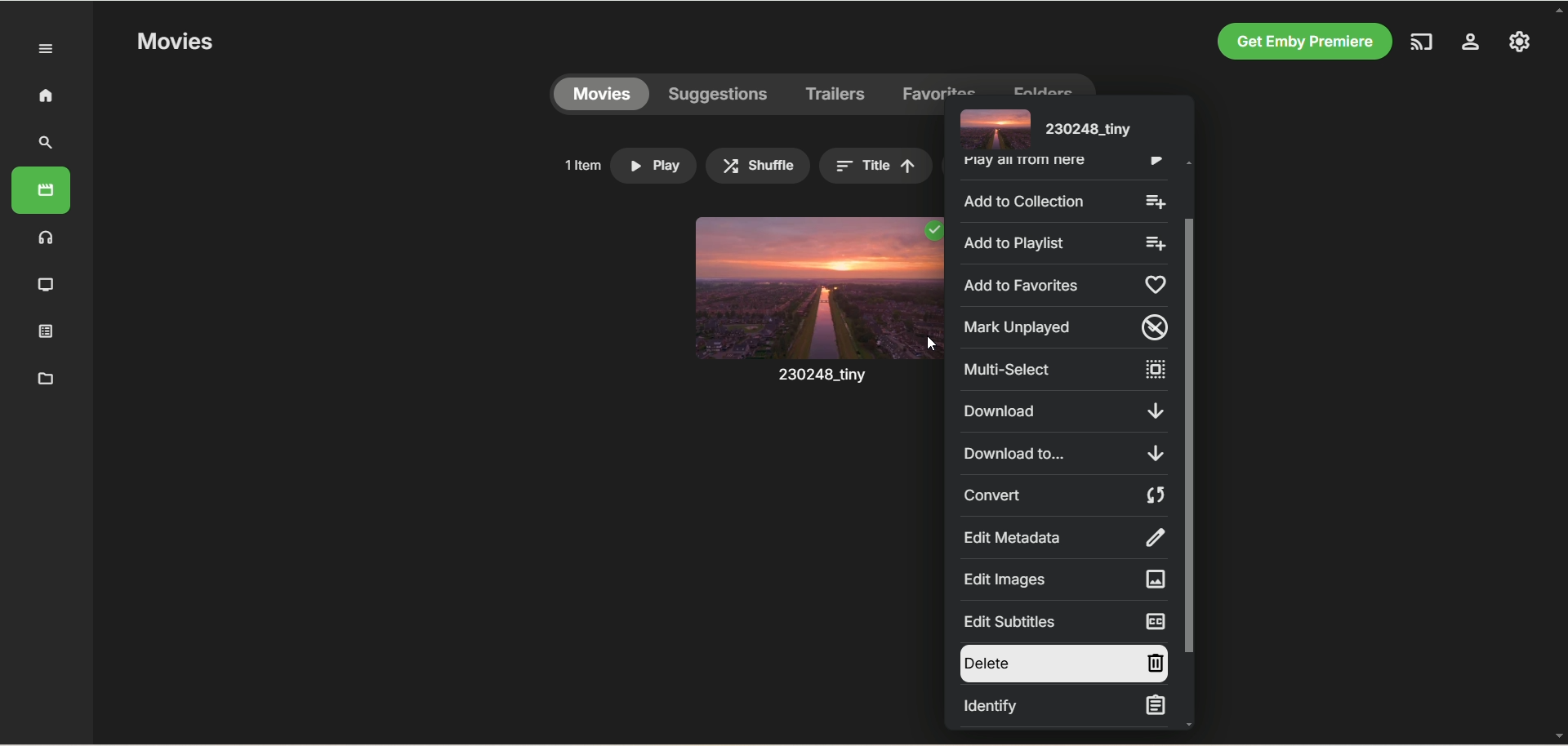  I want to click on server, so click(1471, 44).